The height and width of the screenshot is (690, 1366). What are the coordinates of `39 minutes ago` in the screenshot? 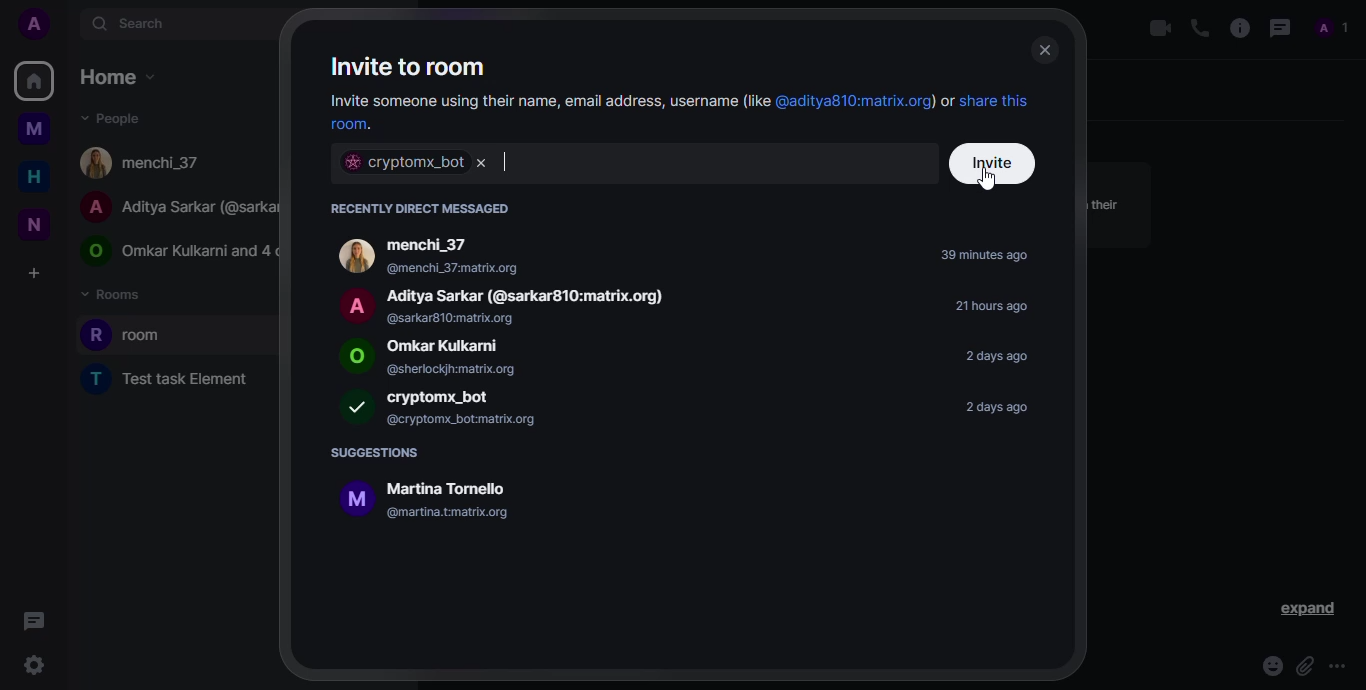 It's located at (985, 259).